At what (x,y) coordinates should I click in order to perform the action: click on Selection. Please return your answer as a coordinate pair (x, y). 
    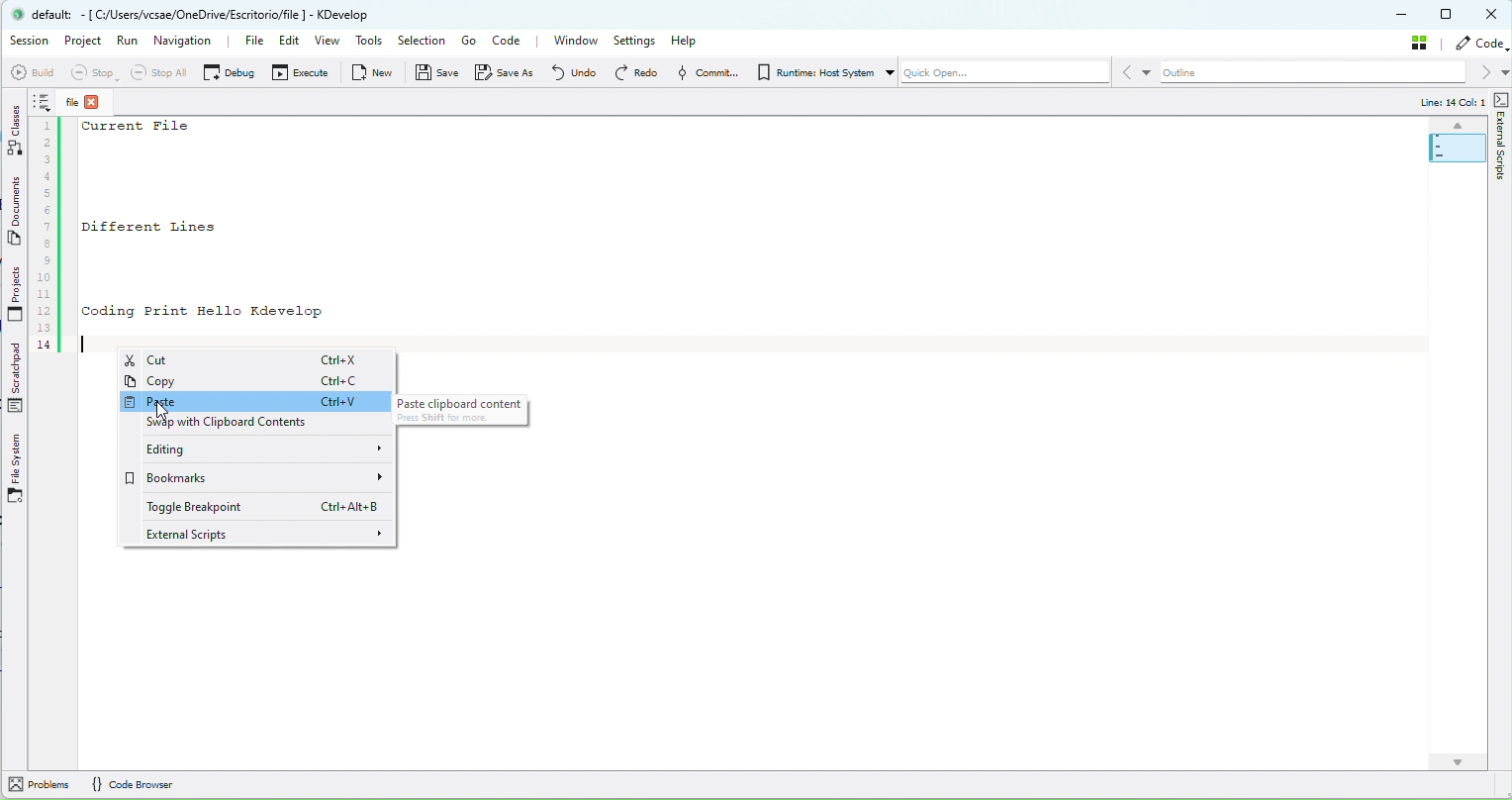
    Looking at the image, I should click on (421, 42).